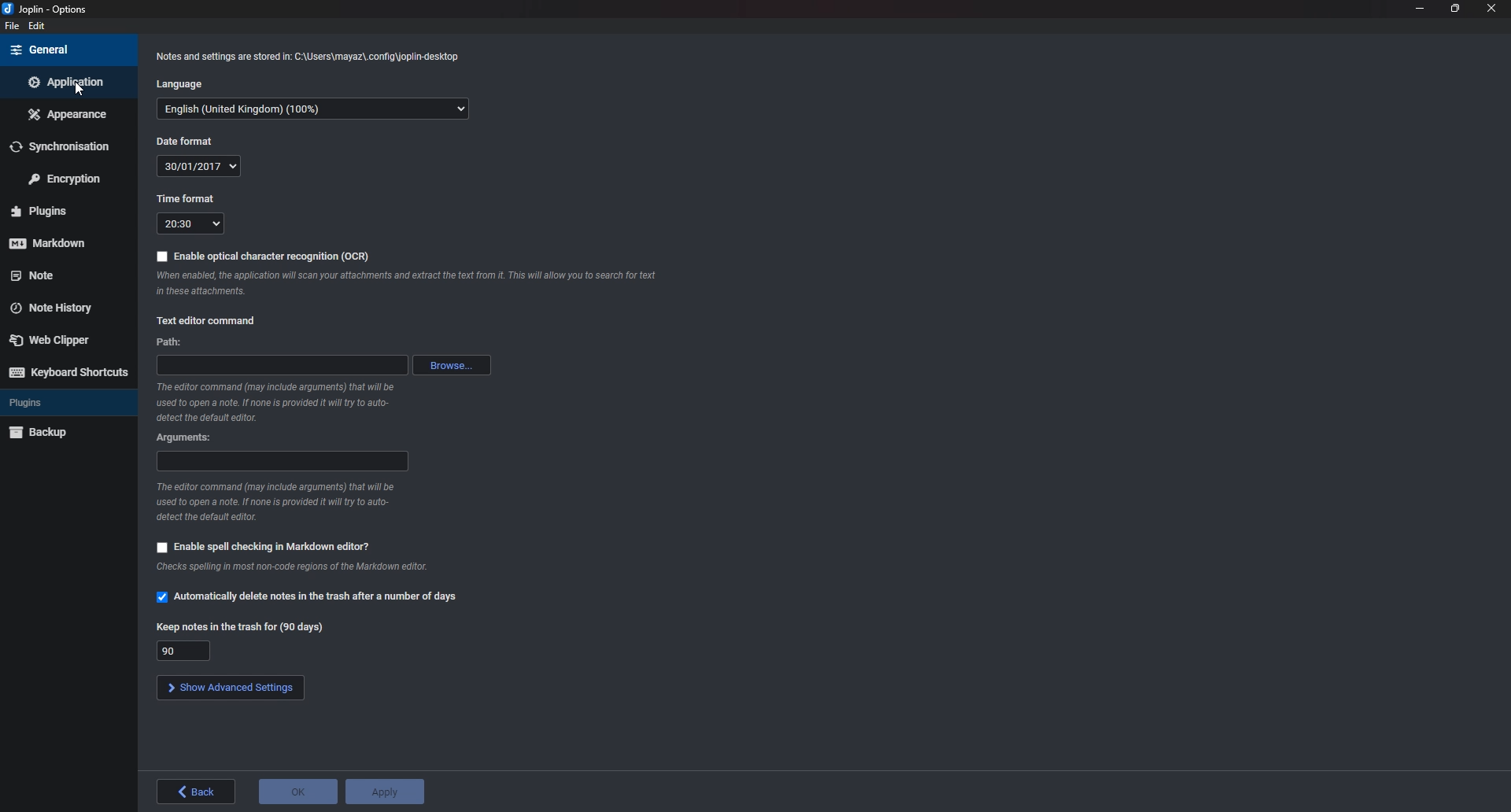 The width and height of the screenshot is (1511, 812). Describe the element at coordinates (238, 629) in the screenshot. I see `Keep notes in the trash for` at that location.